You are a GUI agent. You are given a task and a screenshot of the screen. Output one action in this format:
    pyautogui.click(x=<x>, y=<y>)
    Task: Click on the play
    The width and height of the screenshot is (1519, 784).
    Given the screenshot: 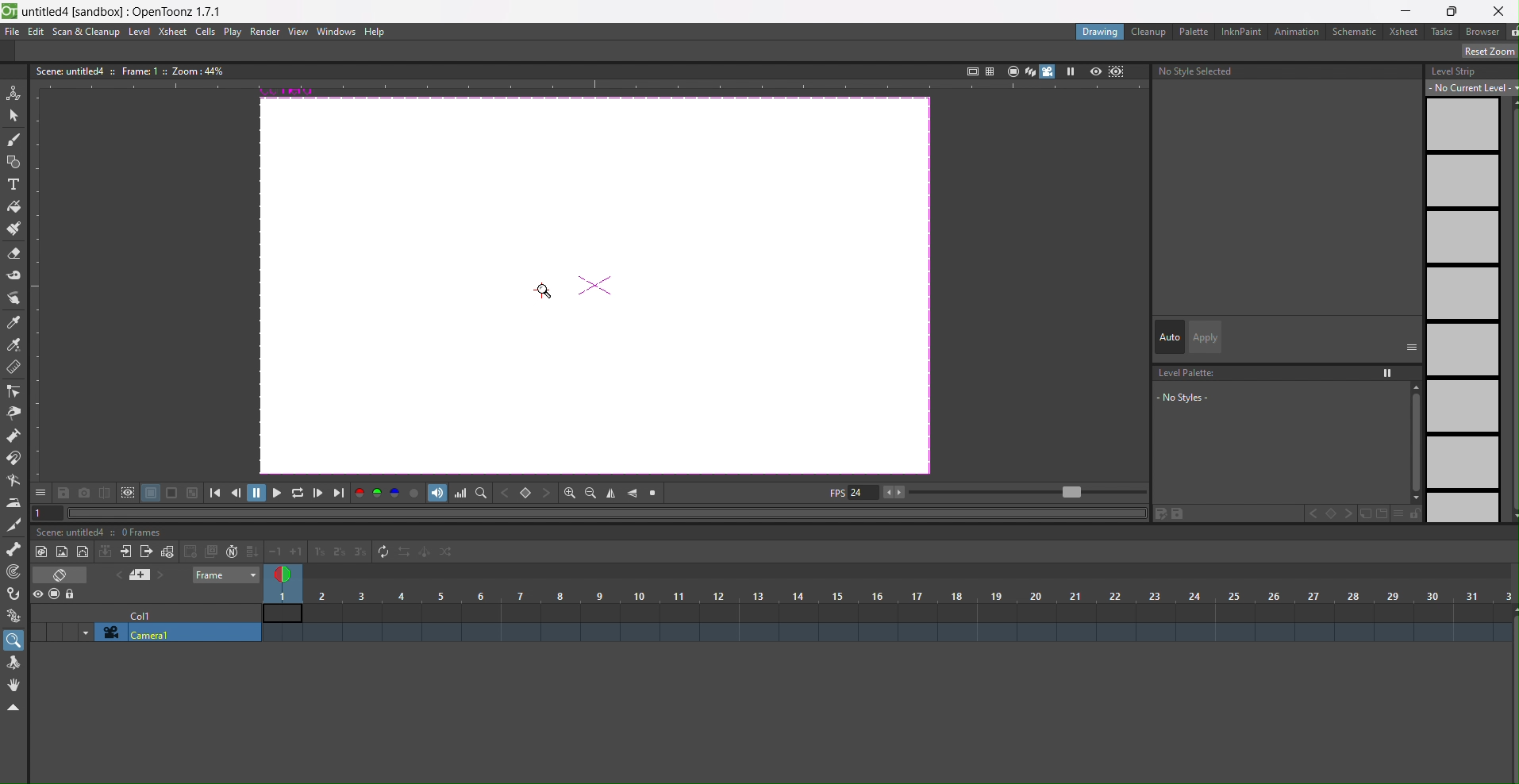 What is the action you would take?
    pyautogui.click(x=1073, y=71)
    